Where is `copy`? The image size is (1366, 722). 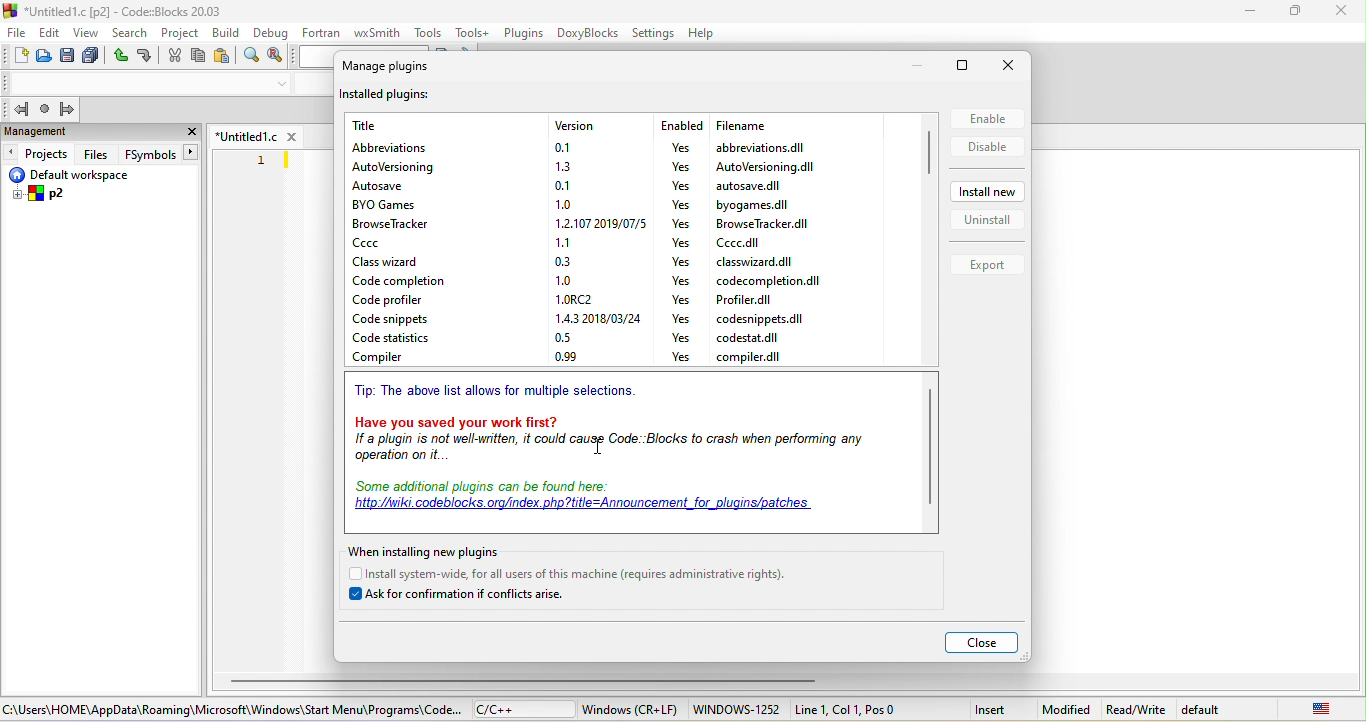 copy is located at coordinates (198, 57).